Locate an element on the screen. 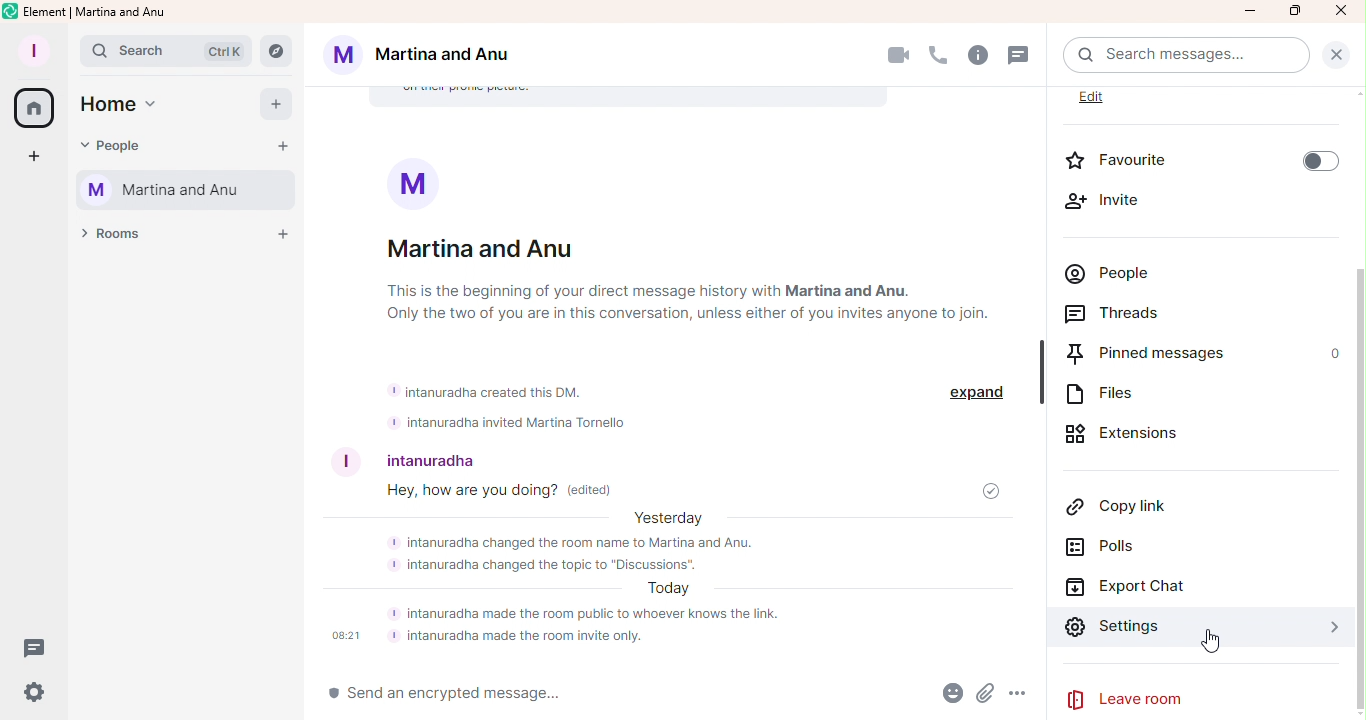 The width and height of the screenshot is (1366, 720). Call is located at coordinates (938, 53).